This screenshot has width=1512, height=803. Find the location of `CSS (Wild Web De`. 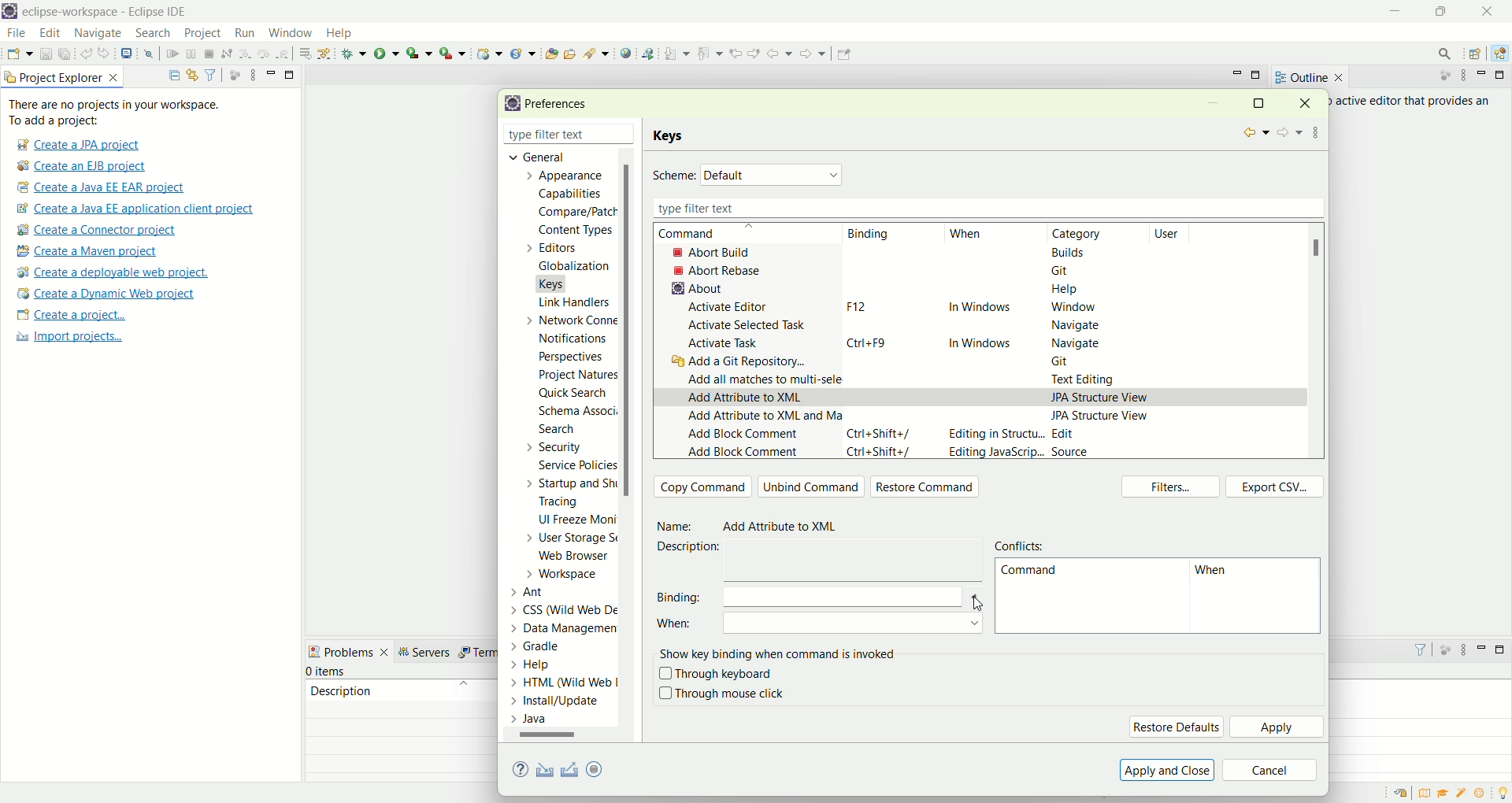

CSS (Wild Web De is located at coordinates (568, 608).